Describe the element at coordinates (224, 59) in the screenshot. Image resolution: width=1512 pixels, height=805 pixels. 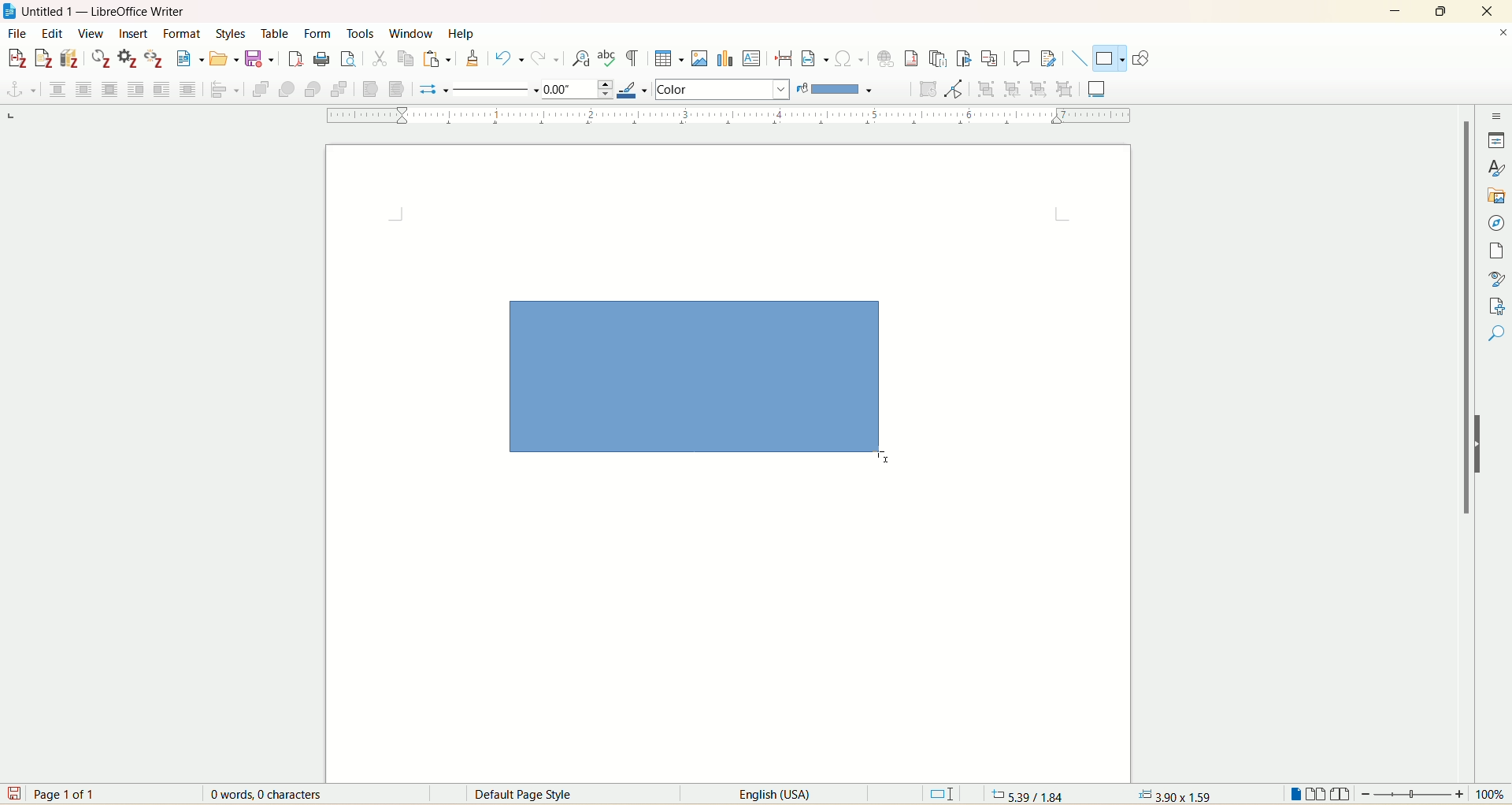
I see `open` at that location.